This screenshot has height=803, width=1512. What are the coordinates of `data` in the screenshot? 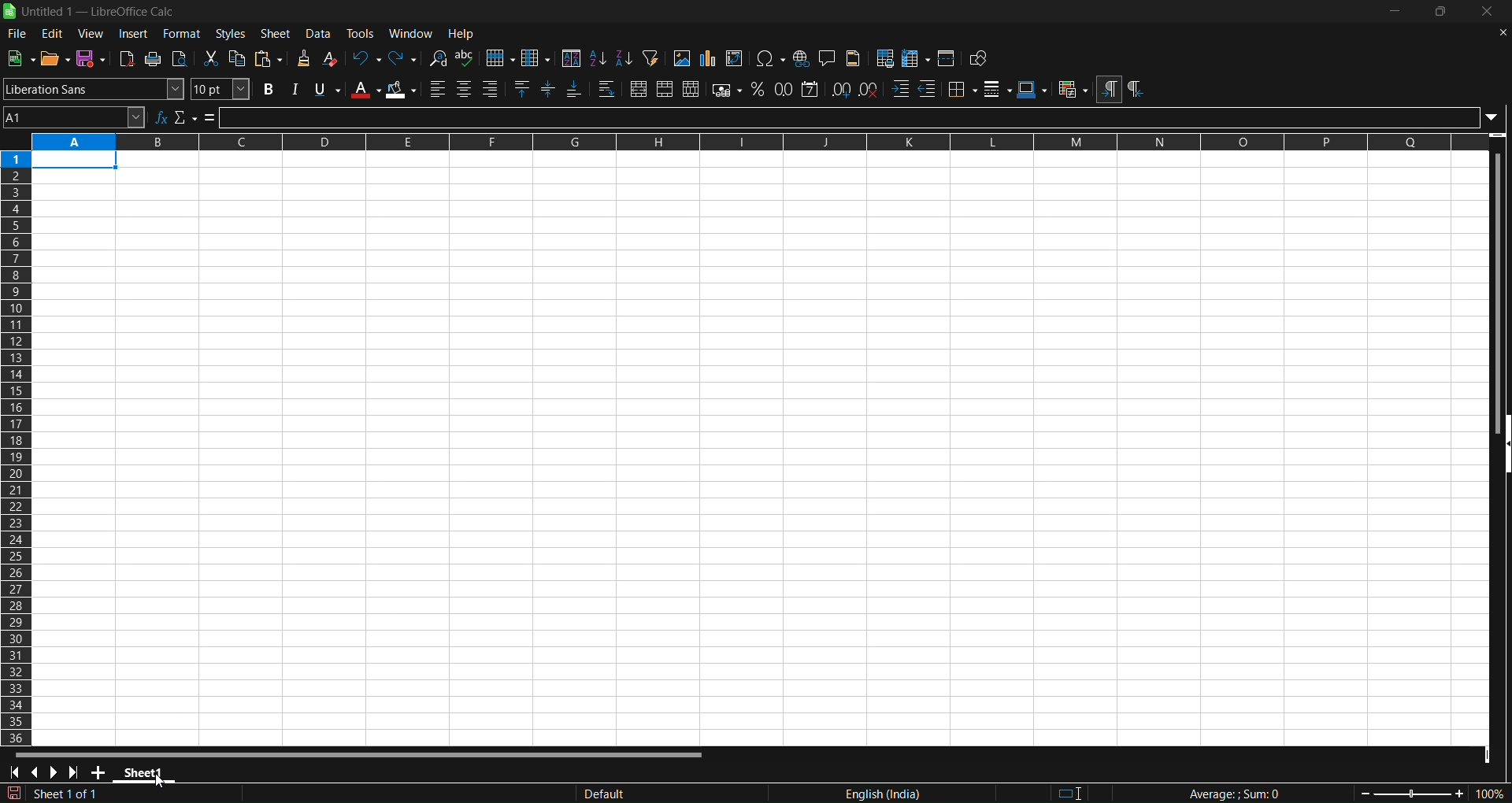 It's located at (322, 33).